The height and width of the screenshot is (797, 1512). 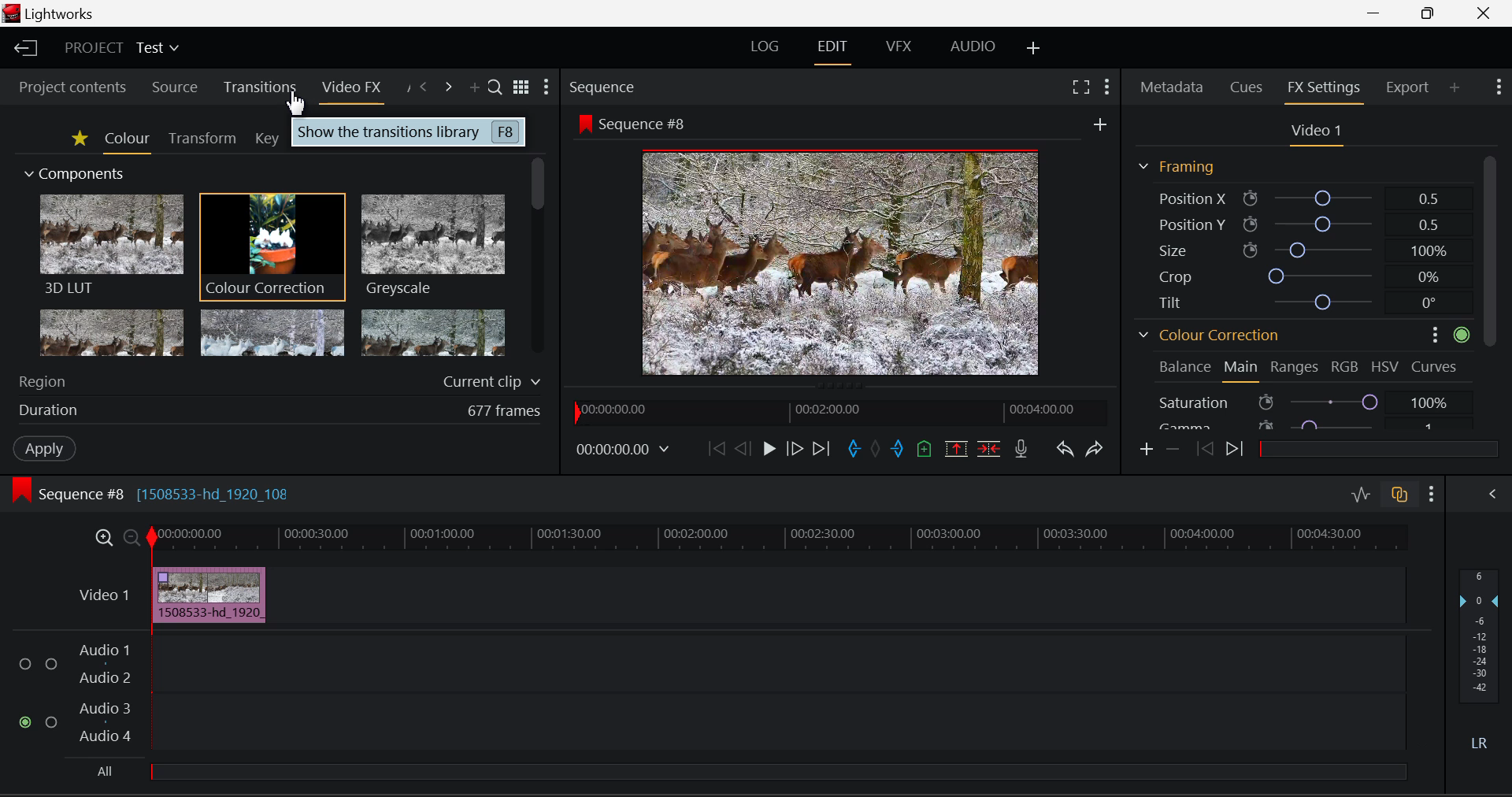 I want to click on 3D LUT, so click(x=110, y=243).